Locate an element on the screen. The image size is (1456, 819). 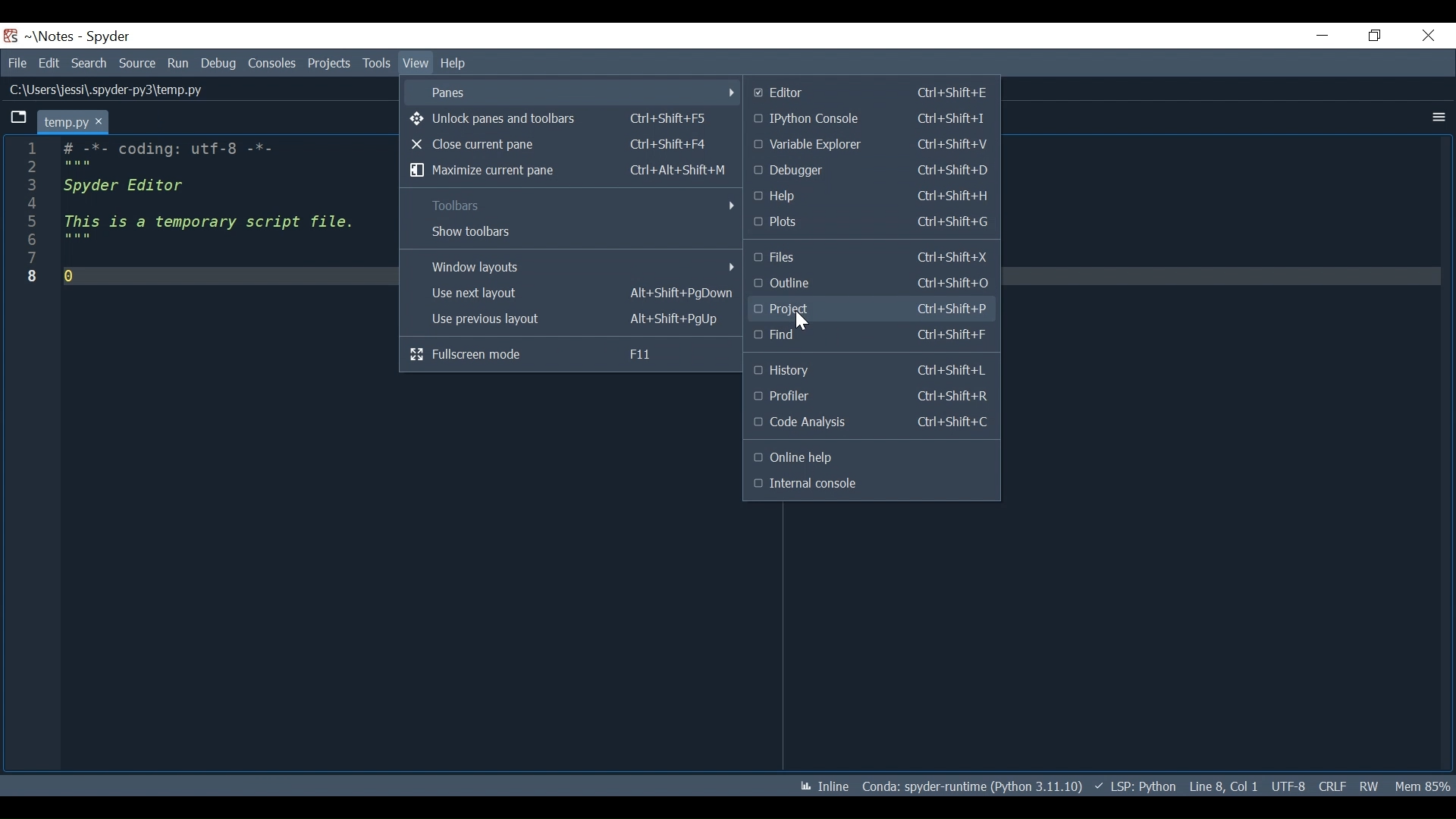
Windows layout is located at coordinates (571, 267).